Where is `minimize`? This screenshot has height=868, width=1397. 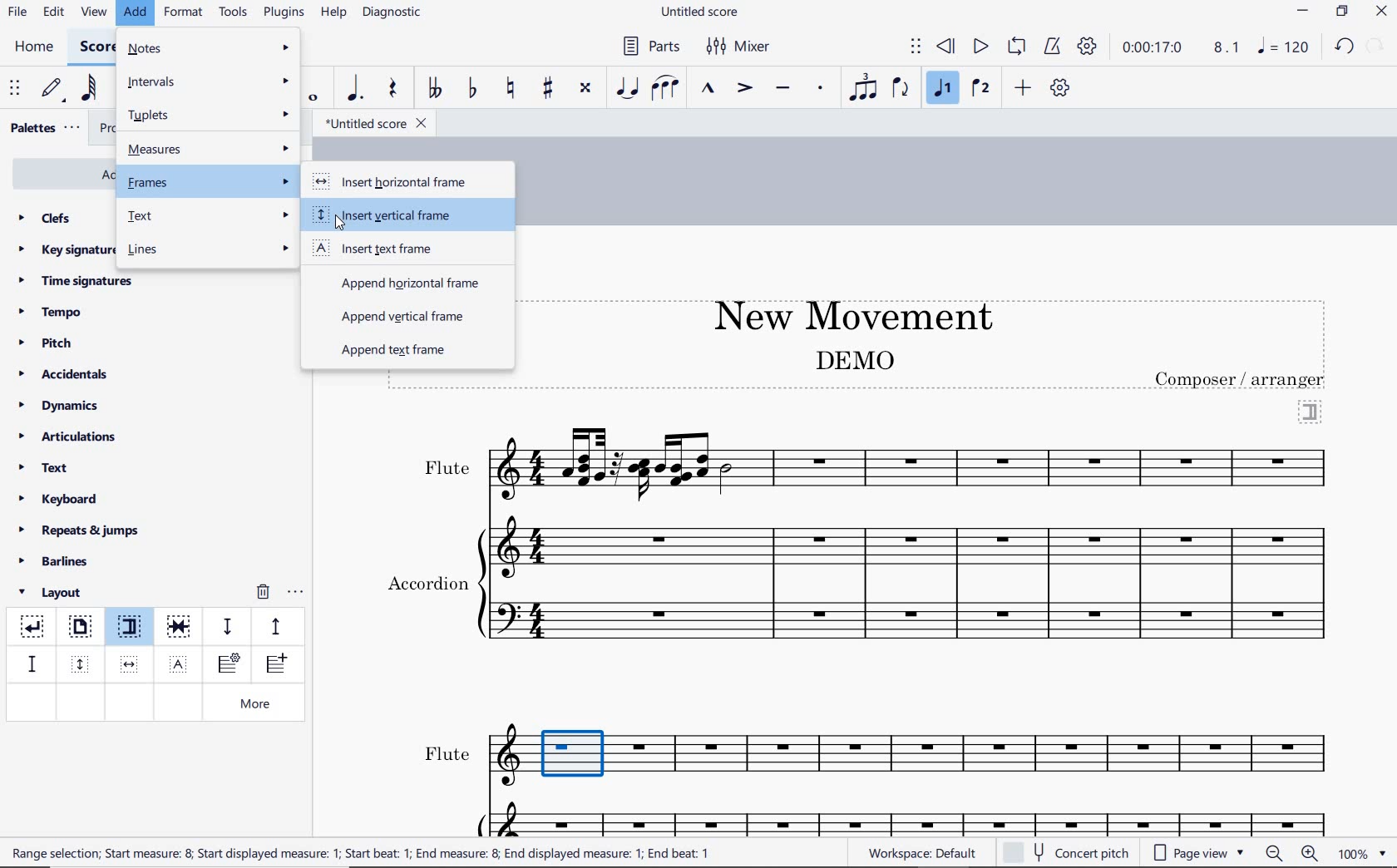 minimize is located at coordinates (1303, 12).